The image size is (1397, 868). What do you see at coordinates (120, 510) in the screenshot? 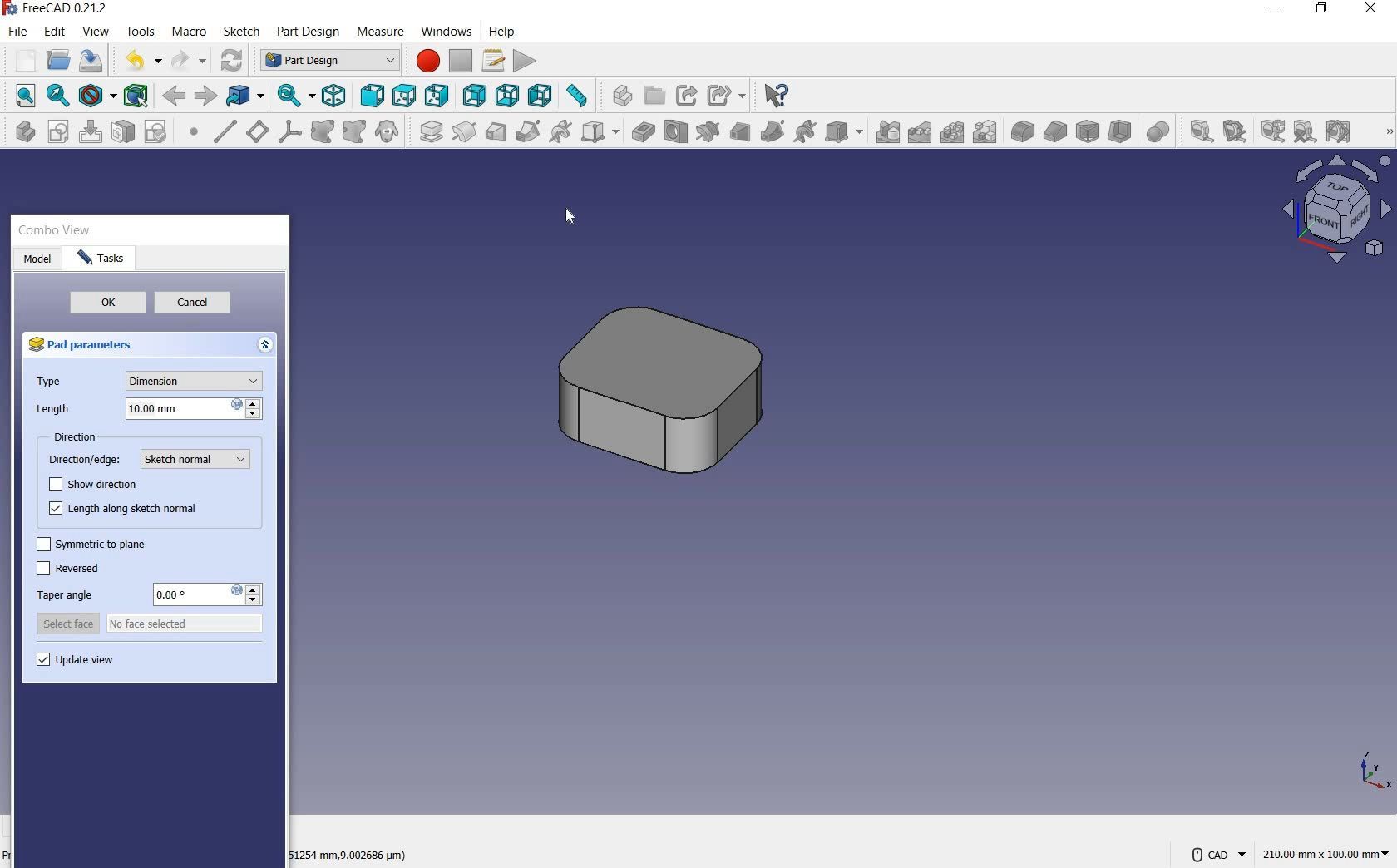
I see `length along sketch normal` at bounding box center [120, 510].